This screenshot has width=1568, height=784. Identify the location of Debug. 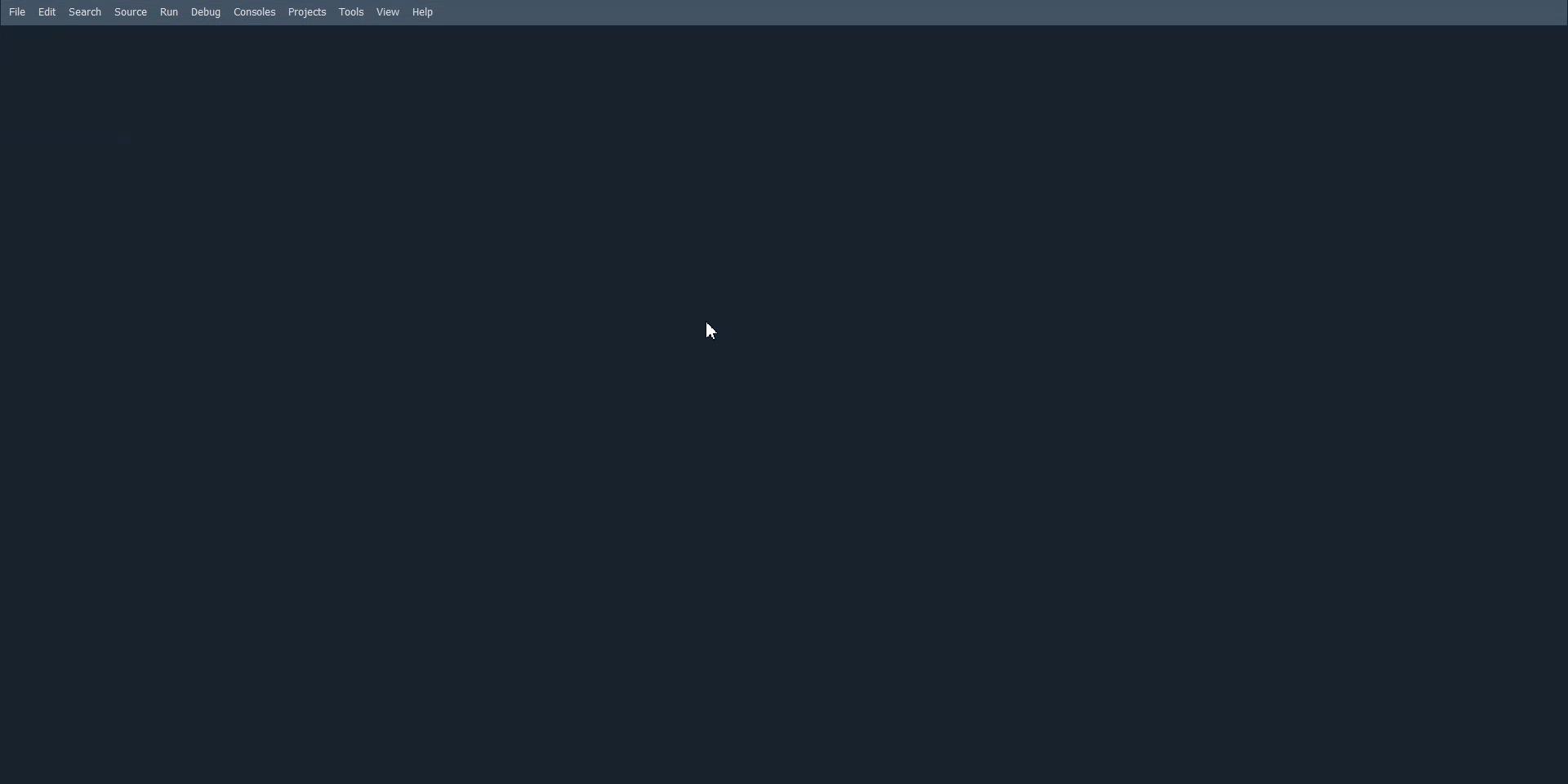
(206, 12).